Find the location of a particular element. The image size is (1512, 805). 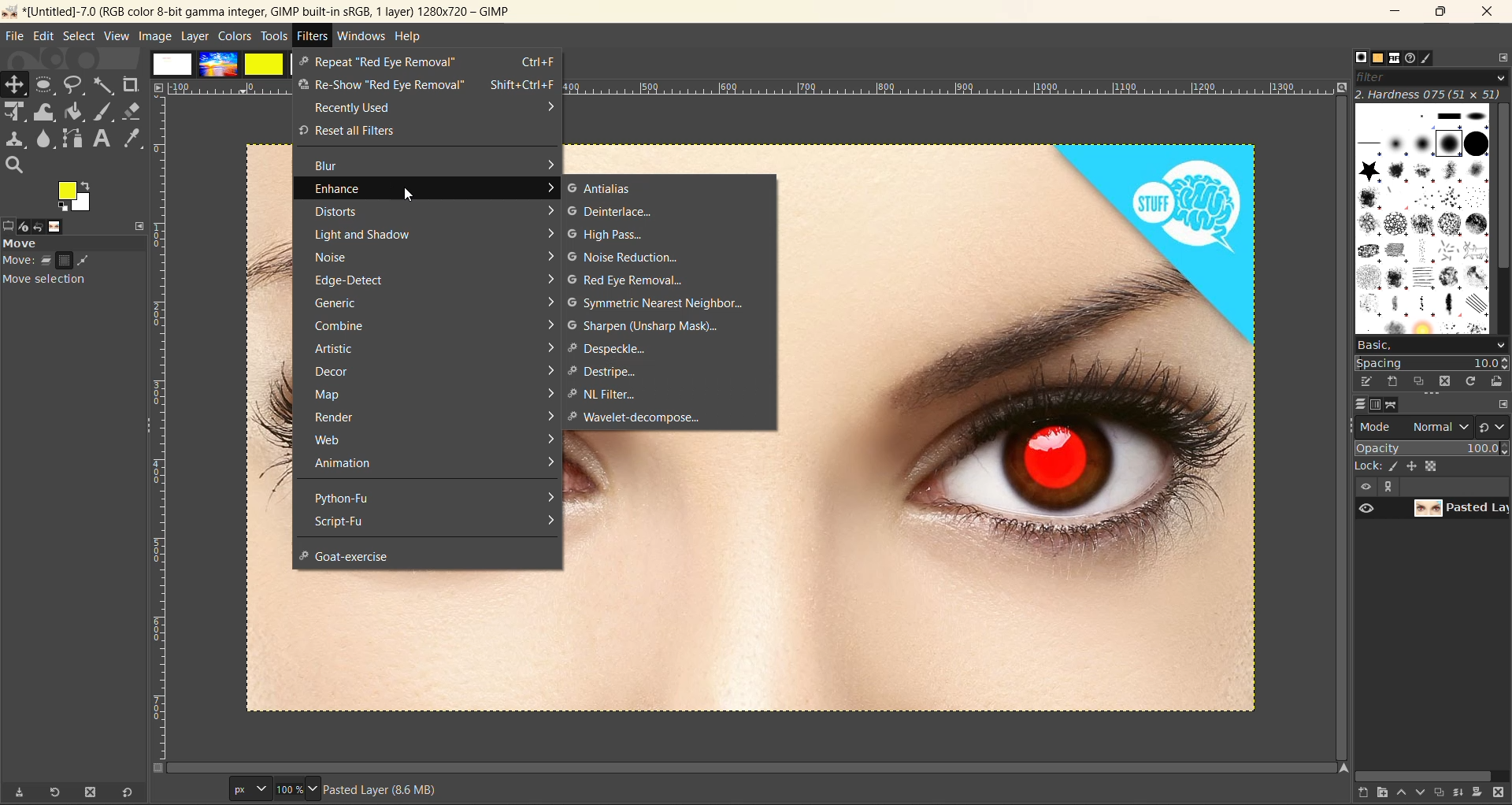

free select tool is located at coordinates (75, 86).